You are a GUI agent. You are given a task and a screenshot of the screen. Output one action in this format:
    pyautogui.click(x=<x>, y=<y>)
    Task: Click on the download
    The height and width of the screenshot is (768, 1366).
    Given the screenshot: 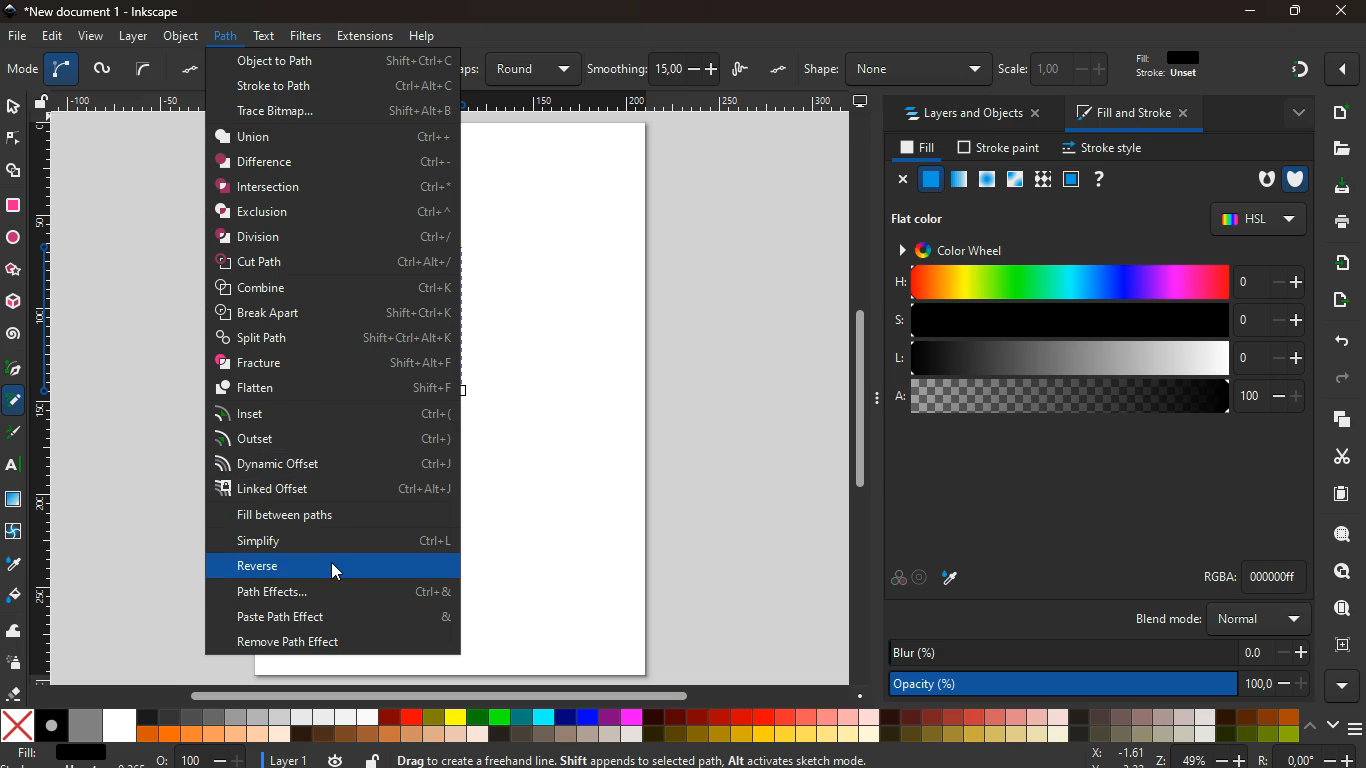 What is the action you would take?
    pyautogui.click(x=1336, y=188)
    